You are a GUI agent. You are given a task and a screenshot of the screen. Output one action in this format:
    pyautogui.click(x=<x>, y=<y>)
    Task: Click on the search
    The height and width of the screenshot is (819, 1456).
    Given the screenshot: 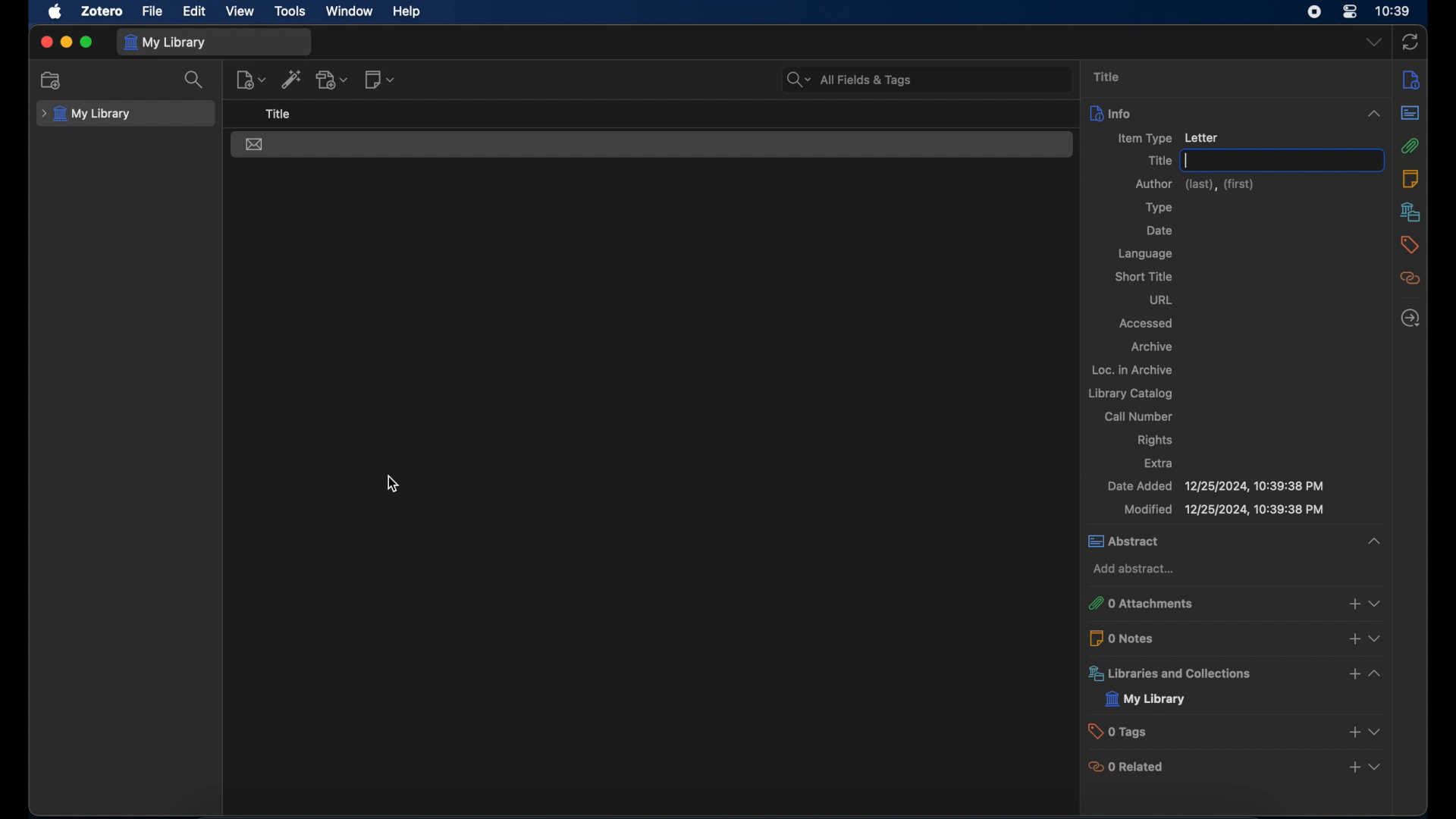 What is the action you would take?
    pyautogui.click(x=196, y=80)
    